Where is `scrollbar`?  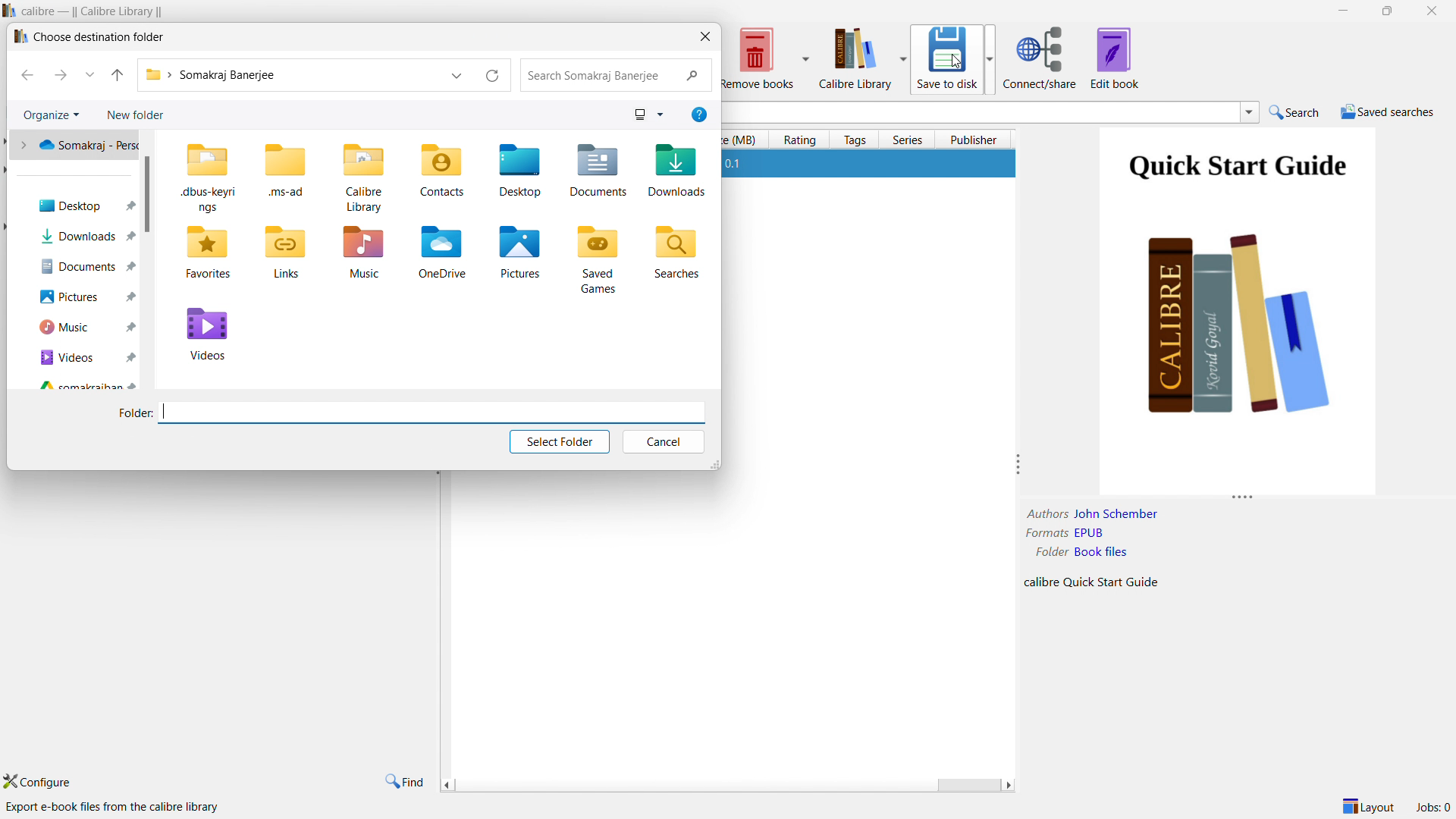 scrollbar is located at coordinates (148, 193).